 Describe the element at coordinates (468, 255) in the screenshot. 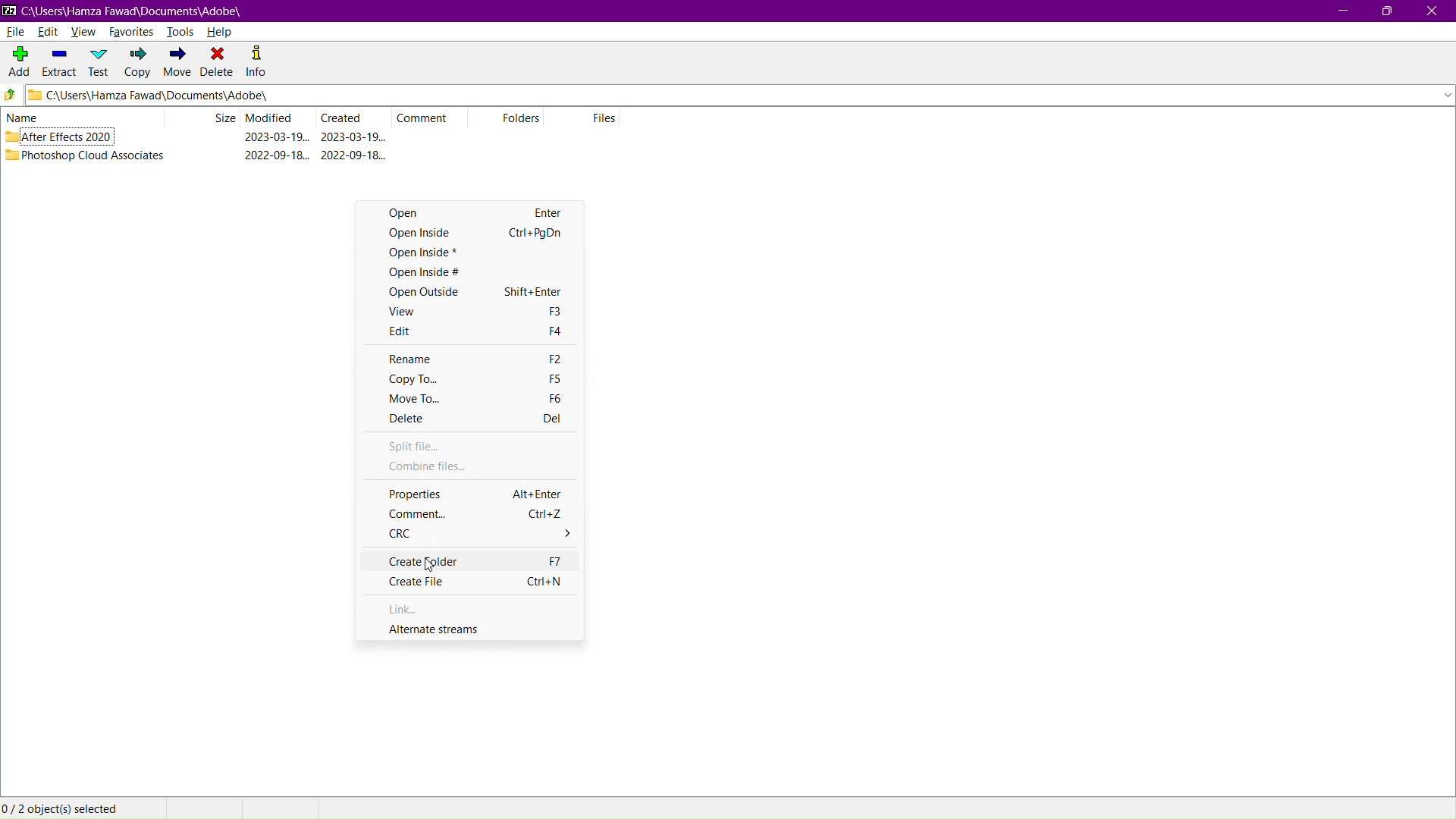

I see `Open Inside *` at that location.